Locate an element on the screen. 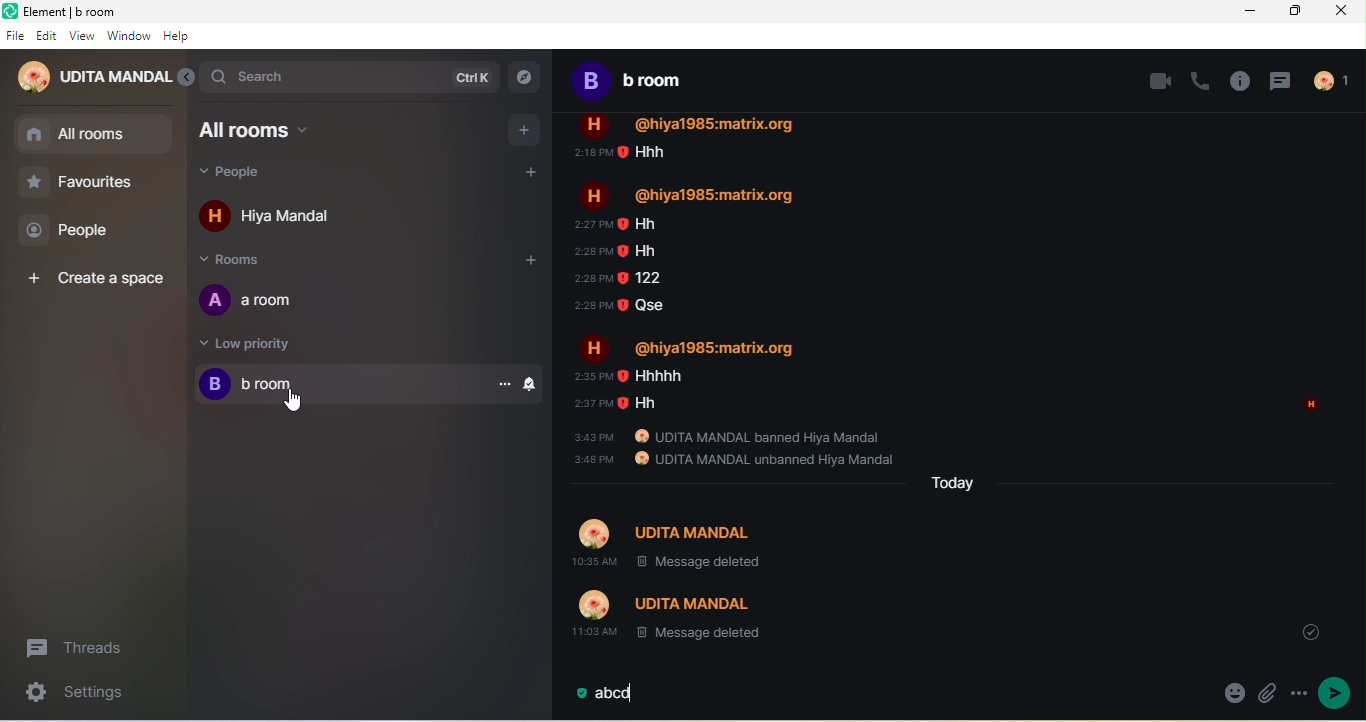  send is located at coordinates (1340, 692).